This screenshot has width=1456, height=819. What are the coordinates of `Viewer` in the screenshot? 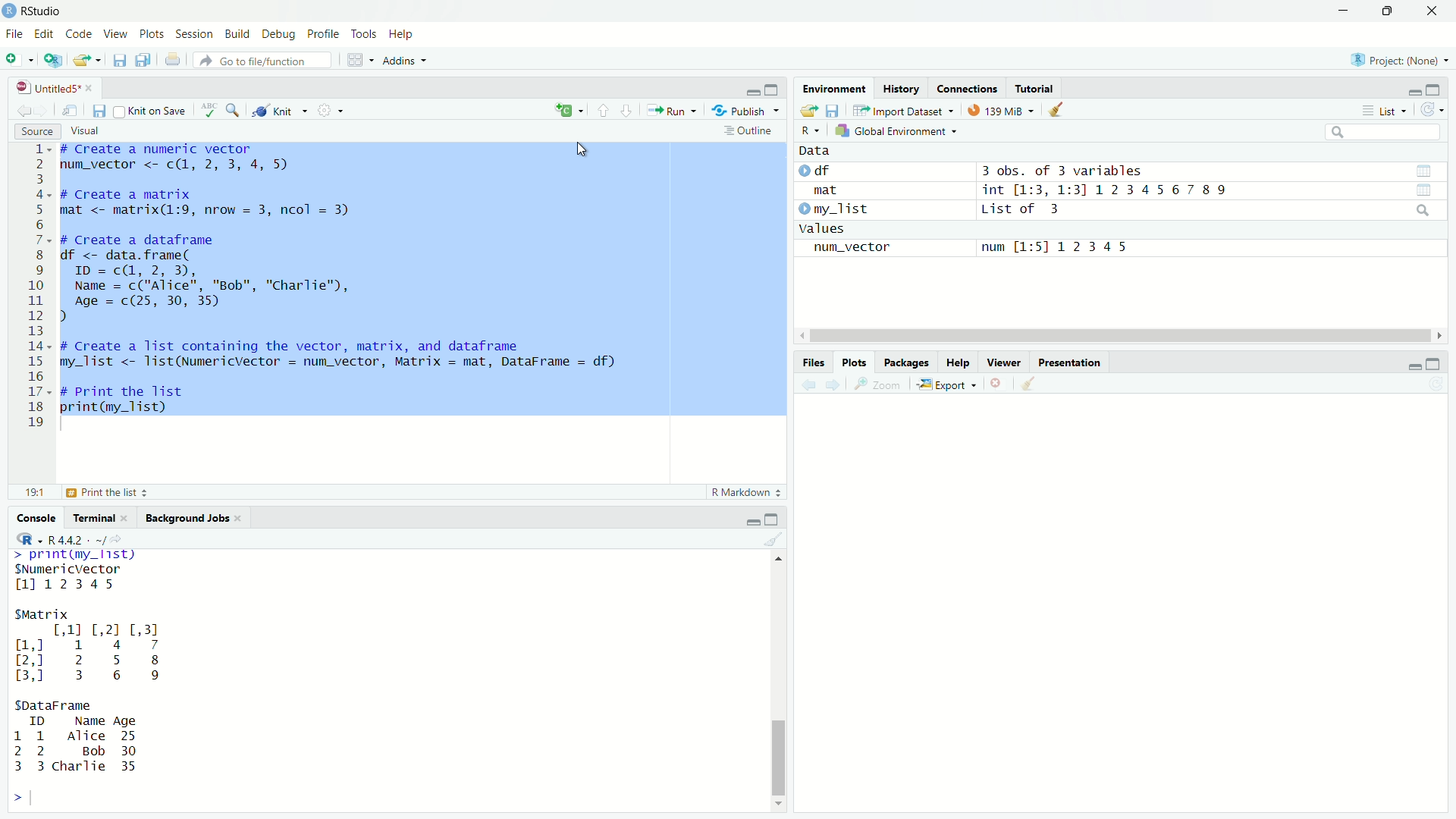 It's located at (1005, 362).